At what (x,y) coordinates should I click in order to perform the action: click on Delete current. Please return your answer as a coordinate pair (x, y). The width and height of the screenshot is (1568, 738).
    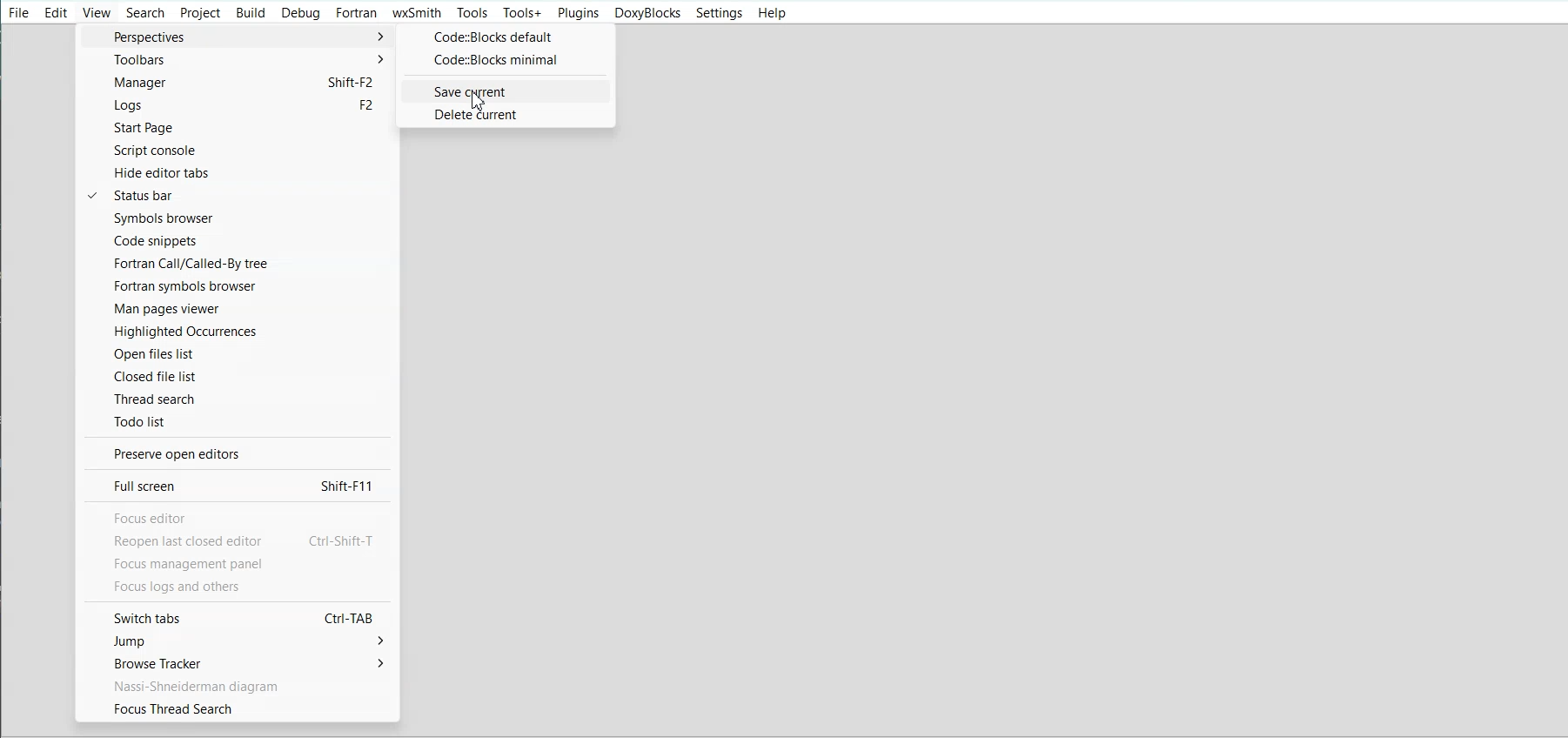
    Looking at the image, I should click on (508, 116).